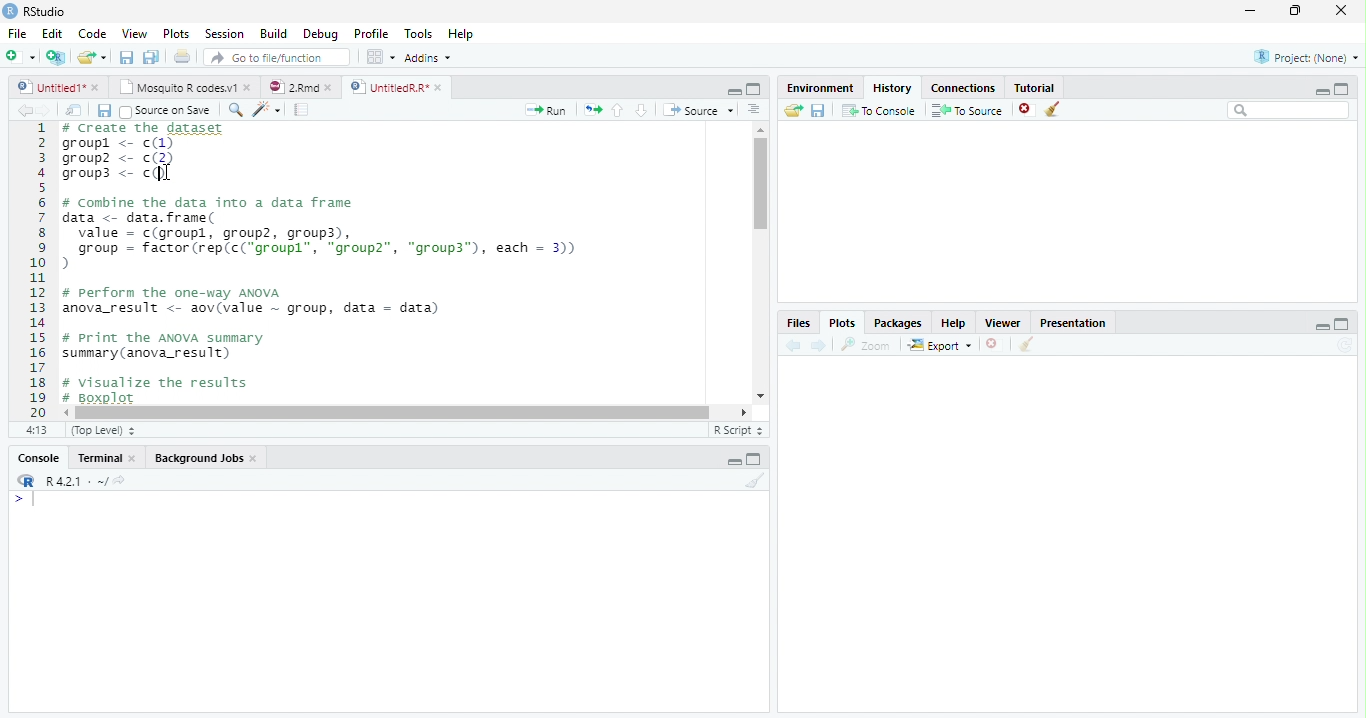 The height and width of the screenshot is (718, 1366). I want to click on Environment, so click(820, 88).